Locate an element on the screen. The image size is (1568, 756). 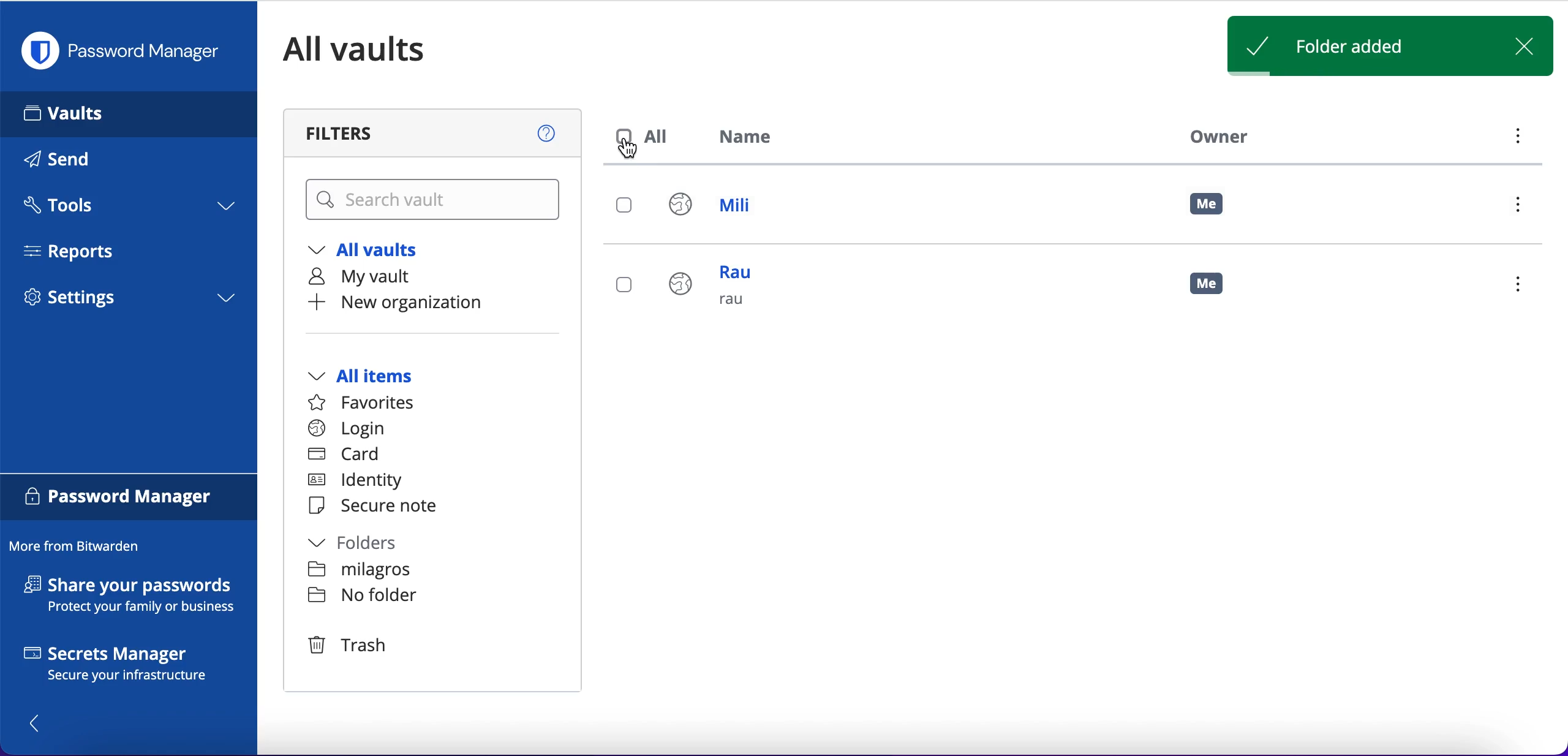
cursor is located at coordinates (638, 154).